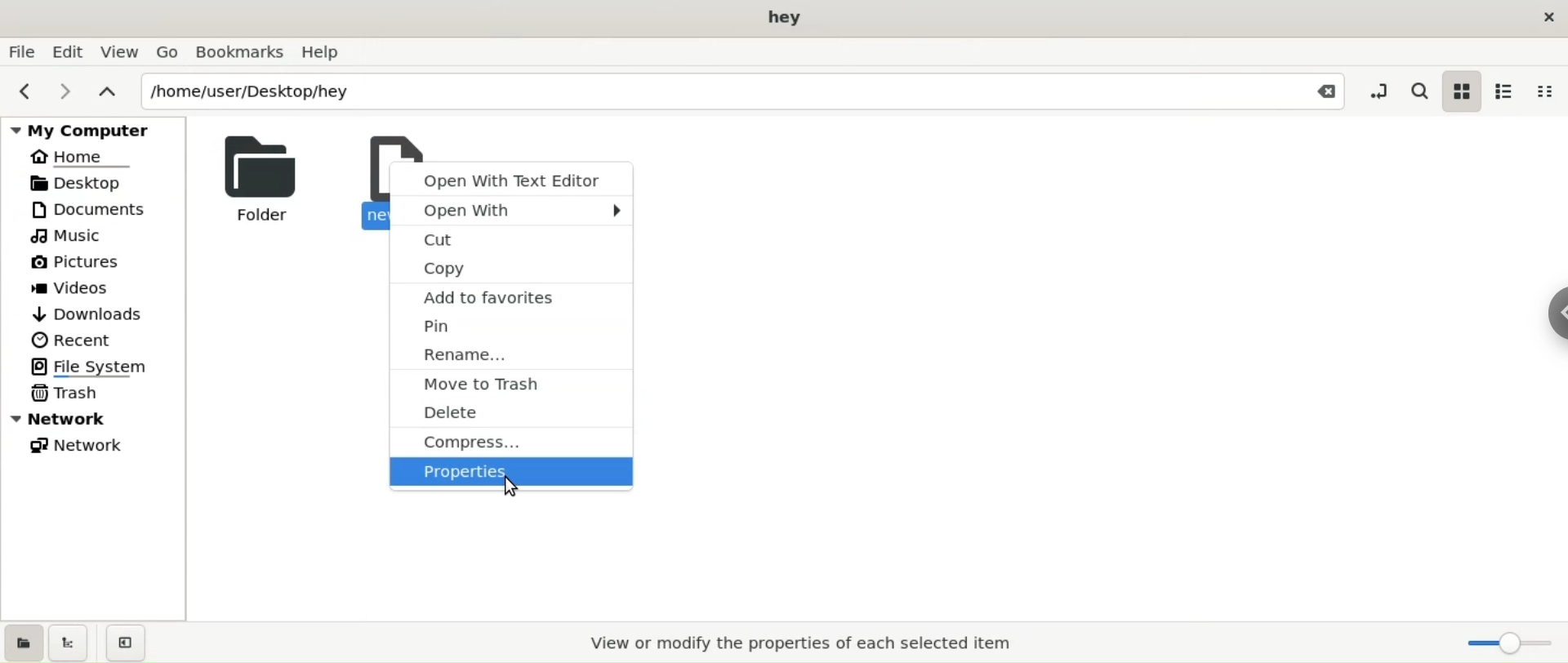 The width and height of the screenshot is (1568, 663). I want to click on Desktop, so click(97, 182).